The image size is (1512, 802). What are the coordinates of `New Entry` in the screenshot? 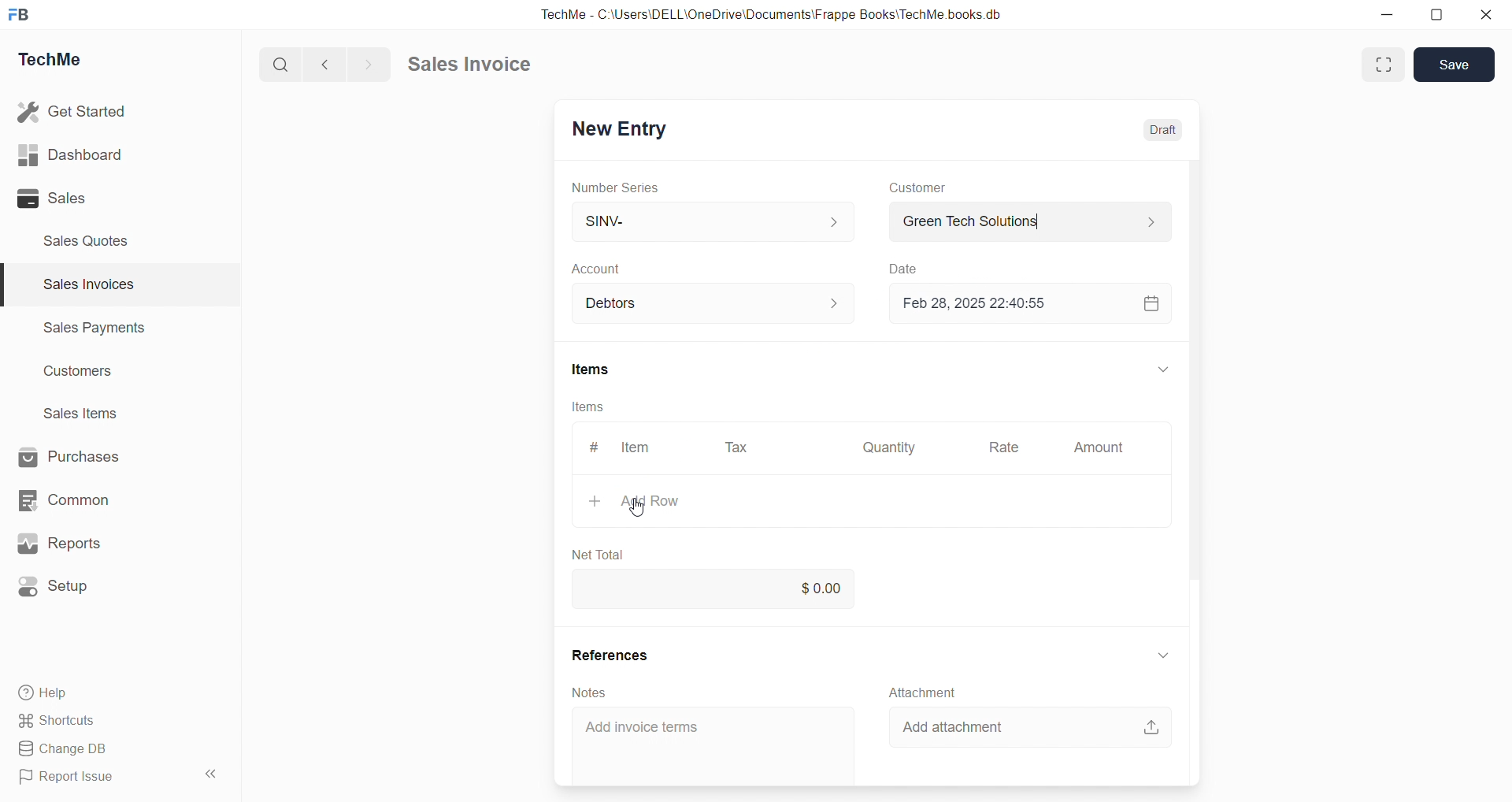 It's located at (622, 130).